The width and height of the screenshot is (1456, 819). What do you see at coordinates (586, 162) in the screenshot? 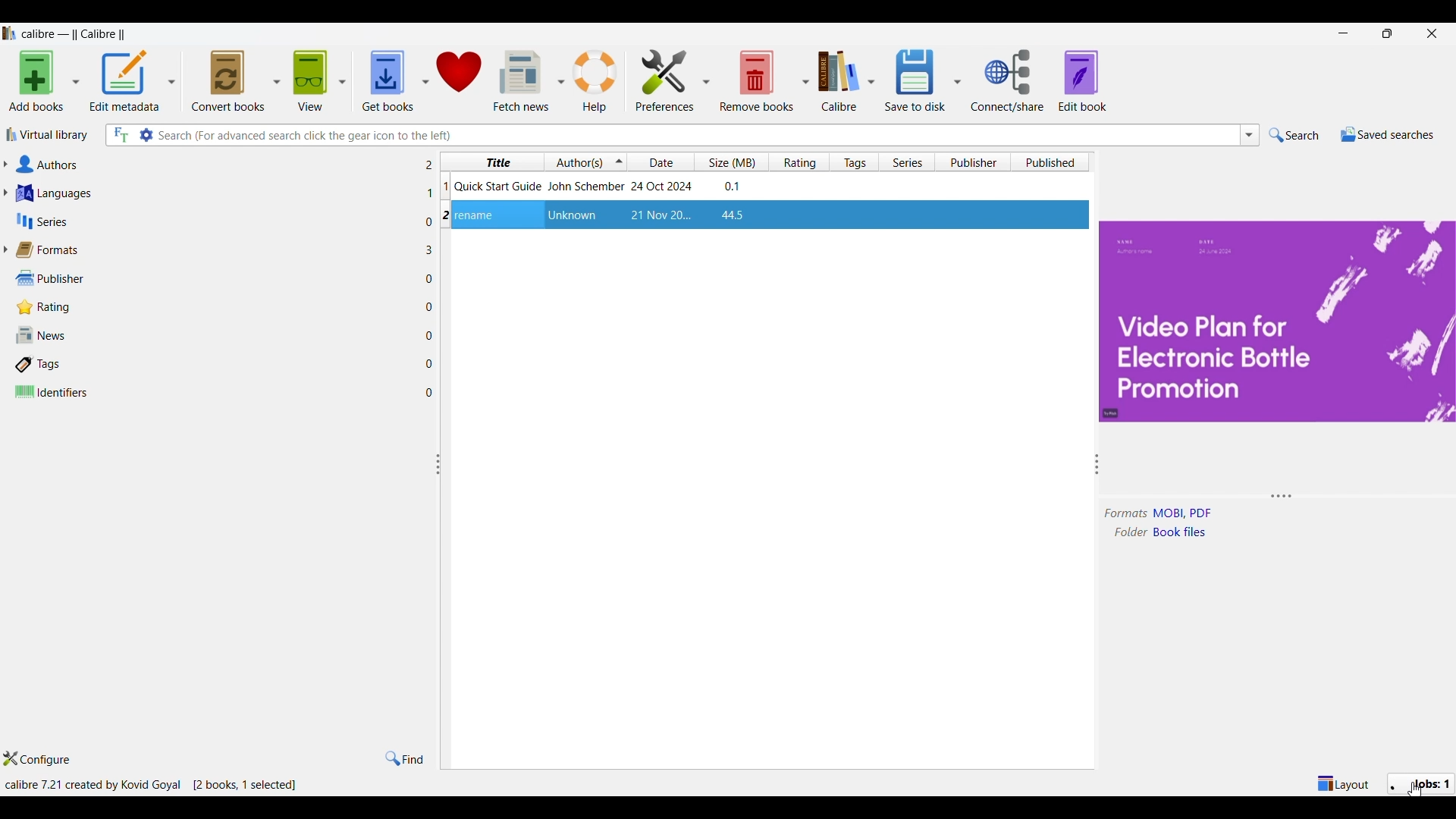
I see `Authors column, current sorting` at bounding box center [586, 162].